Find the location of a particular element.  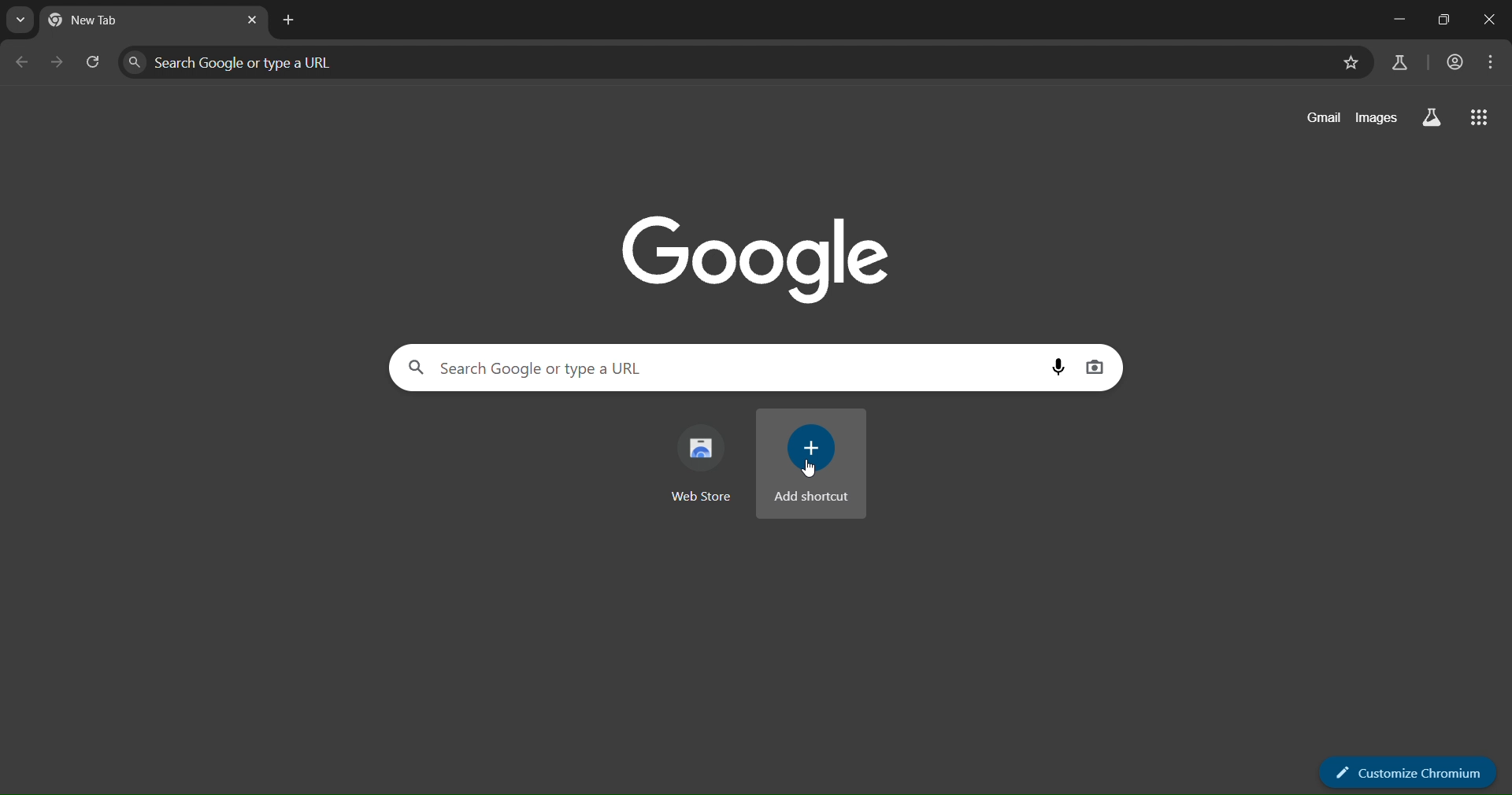

account is located at coordinates (1454, 63).